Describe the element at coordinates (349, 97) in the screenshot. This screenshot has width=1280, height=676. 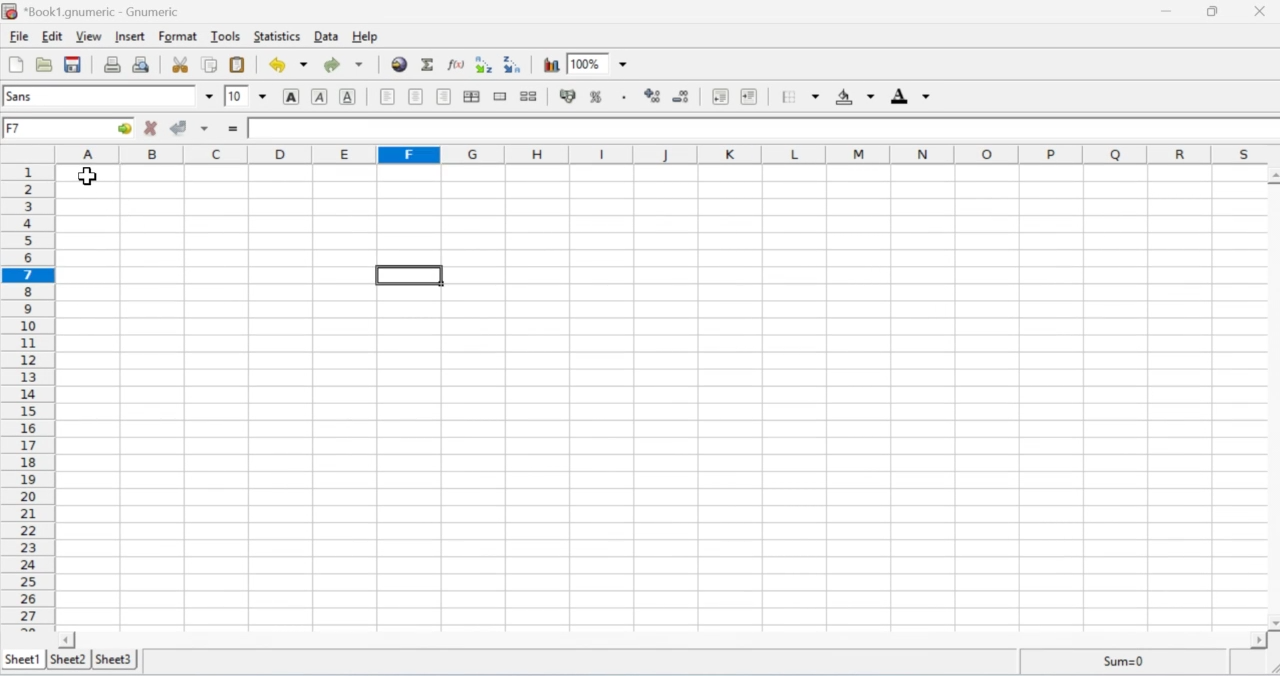
I see `Underline` at that location.